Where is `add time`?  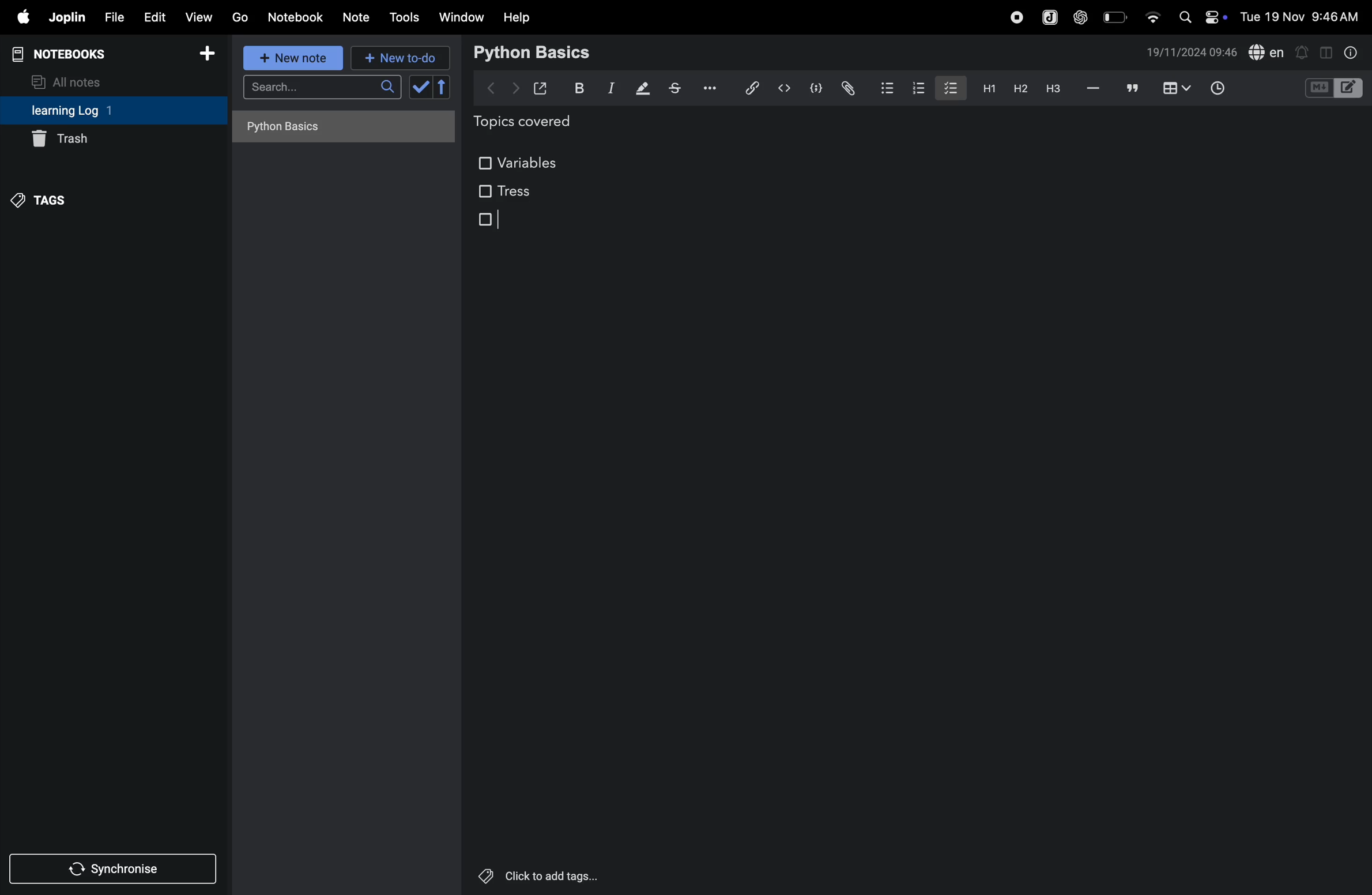 add time is located at coordinates (1231, 89).